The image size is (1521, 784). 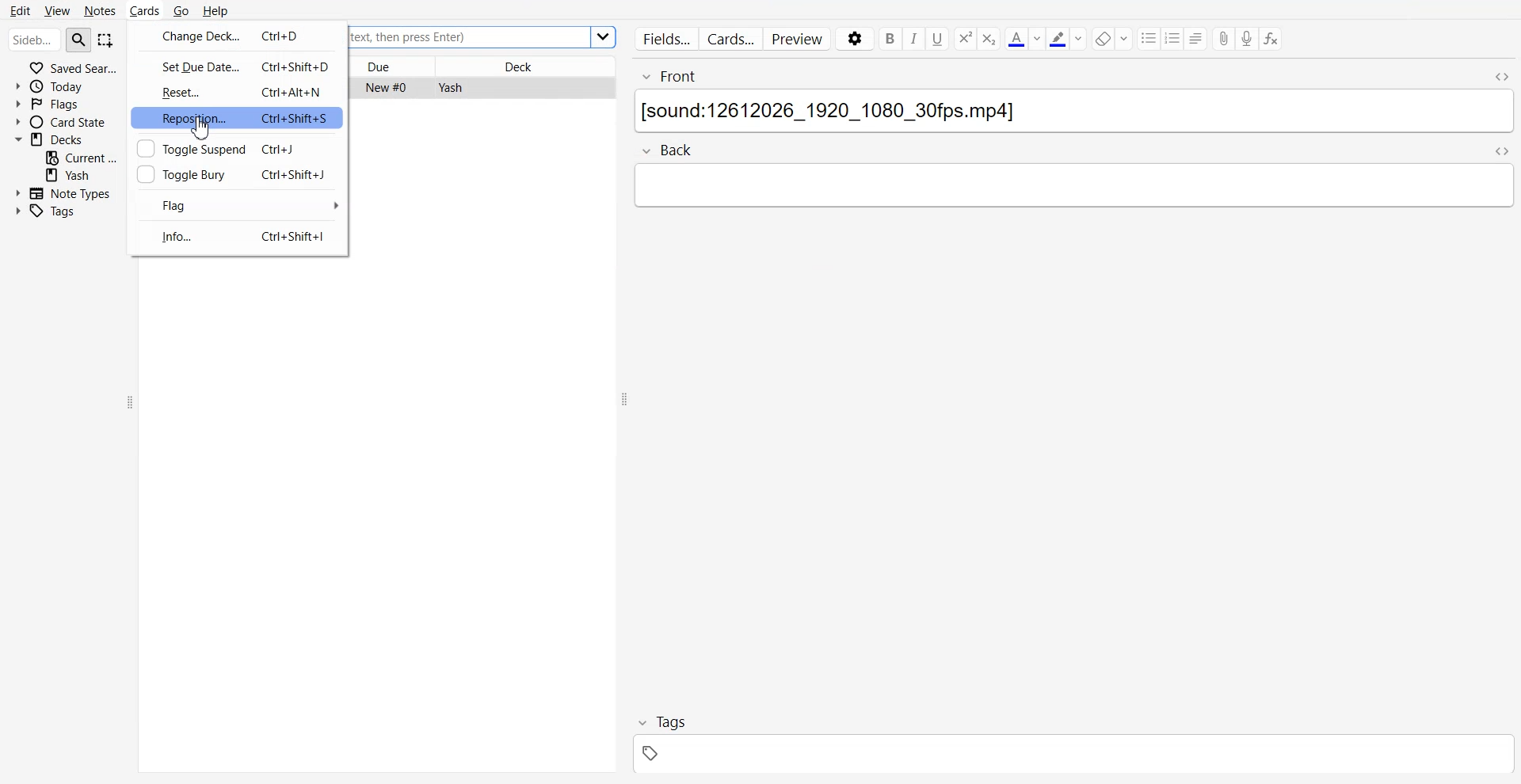 What do you see at coordinates (67, 86) in the screenshot?
I see `Today` at bounding box center [67, 86].